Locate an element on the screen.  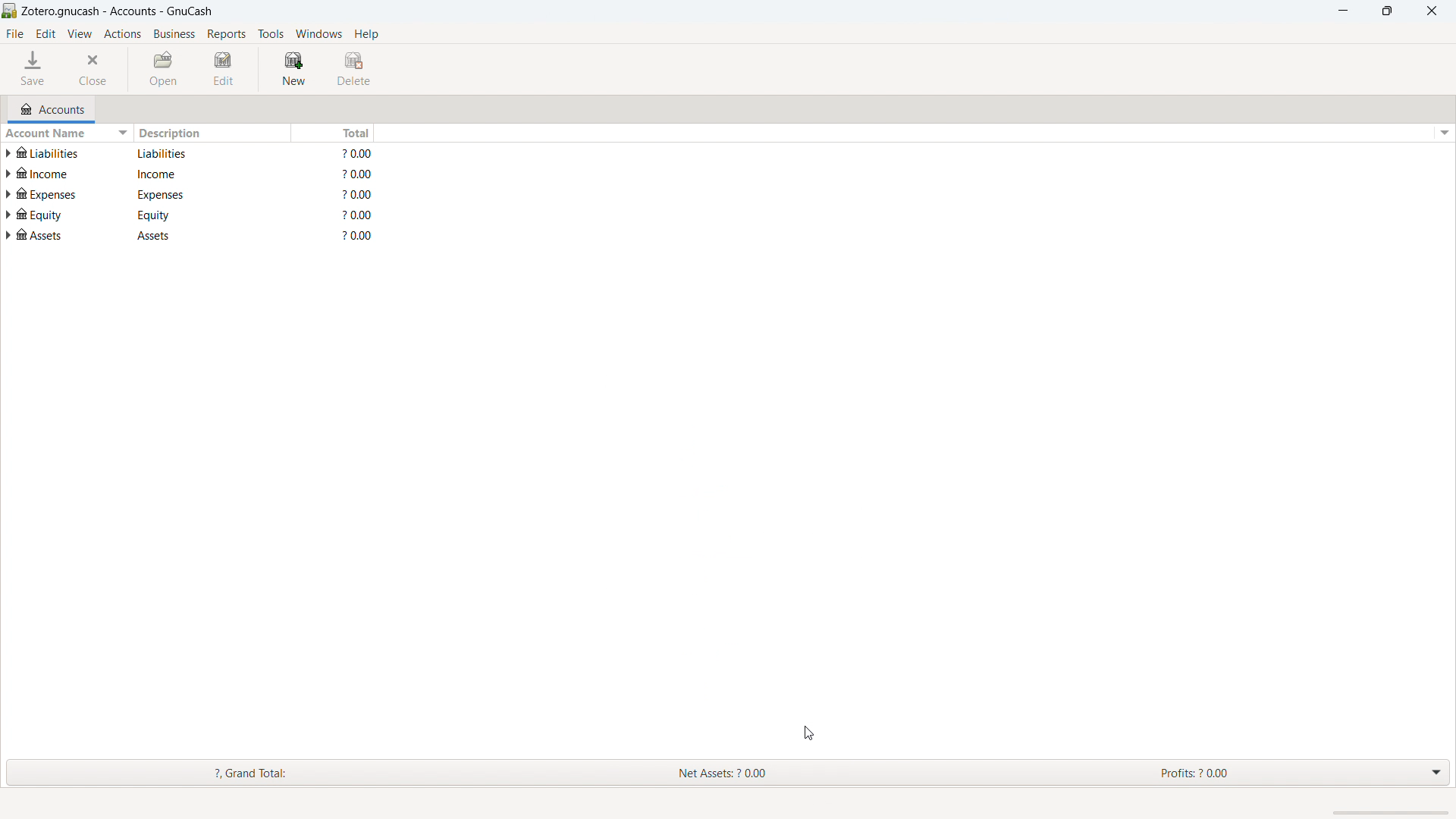
tools is located at coordinates (271, 33).